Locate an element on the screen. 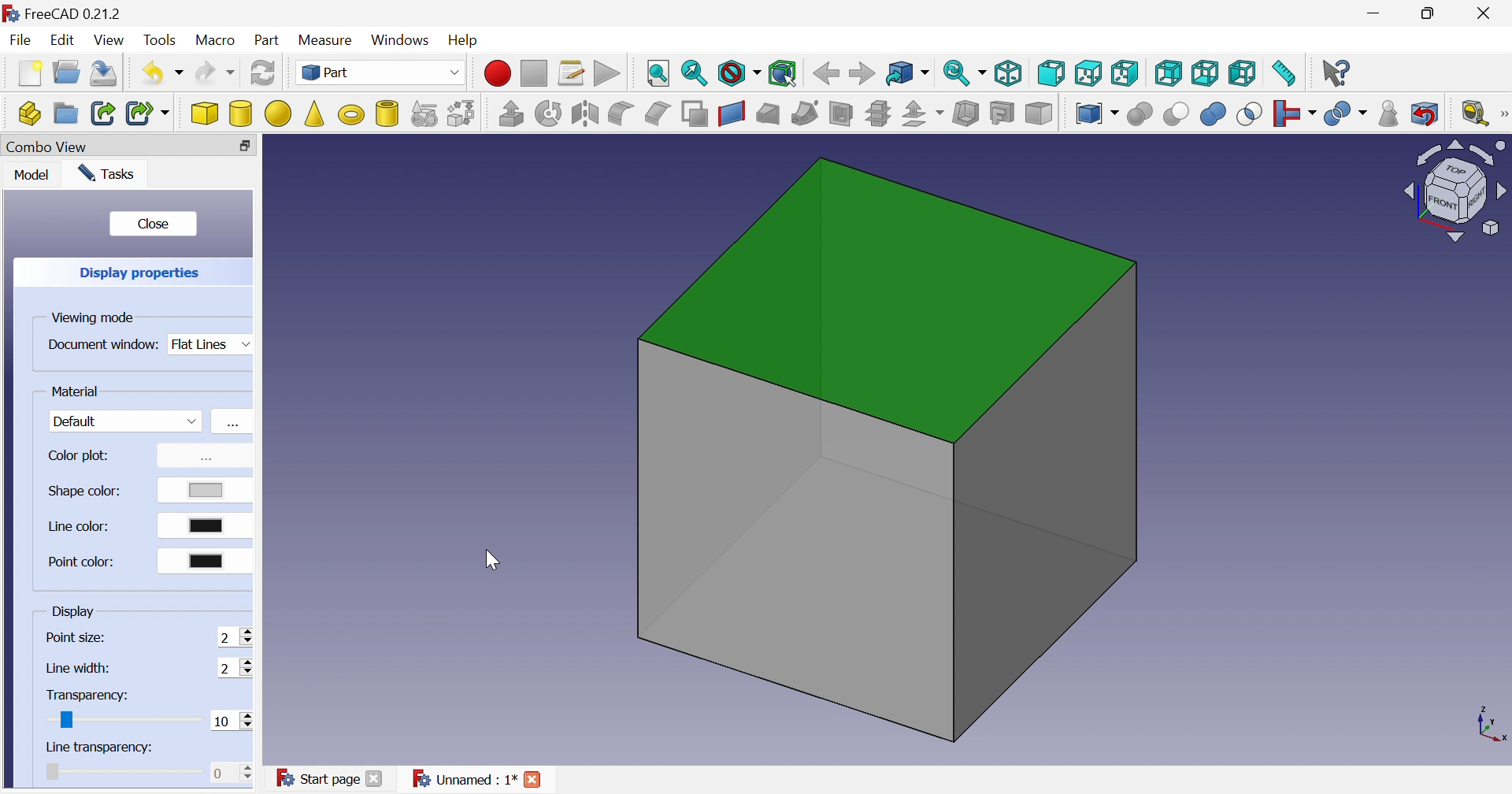 The width and height of the screenshot is (1512, 794). Isometric is located at coordinates (1007, 72).